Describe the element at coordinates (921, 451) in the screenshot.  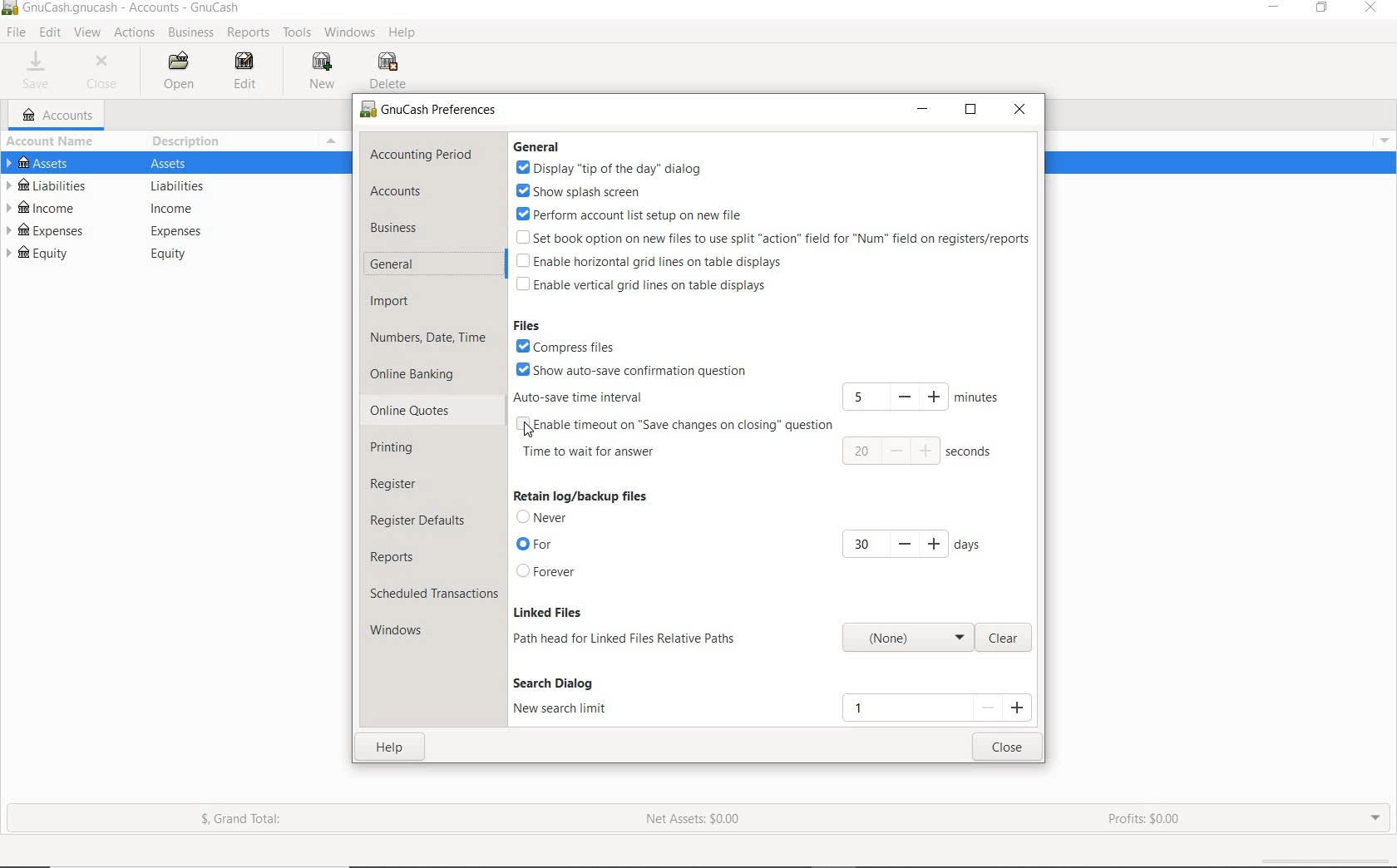
I see `number of seconds before question window opens` at that location.